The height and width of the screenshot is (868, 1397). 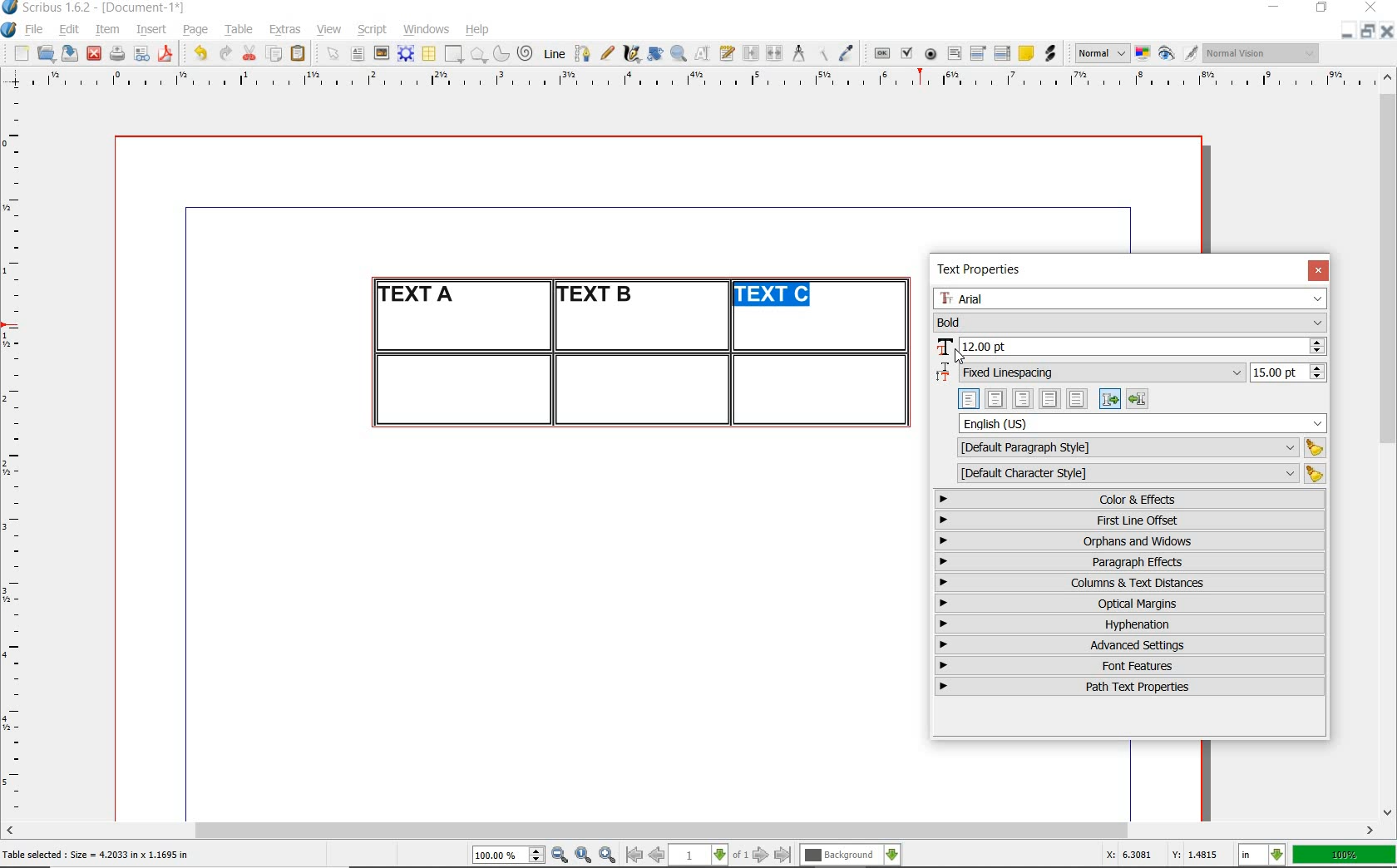 I want to click on print, so click(x=116, y=53).